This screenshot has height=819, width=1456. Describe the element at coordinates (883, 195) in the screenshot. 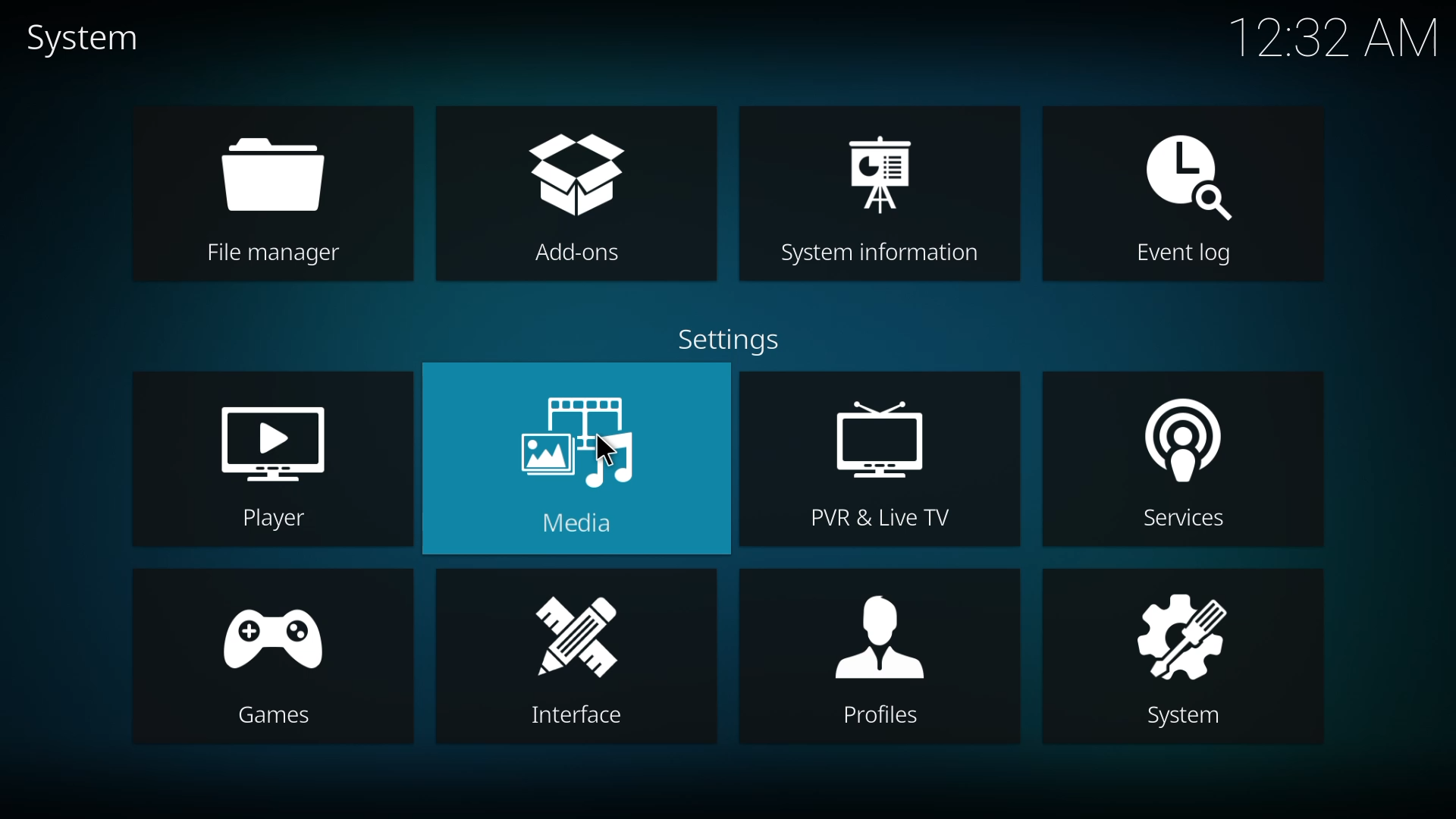

I see `system information` at that location.